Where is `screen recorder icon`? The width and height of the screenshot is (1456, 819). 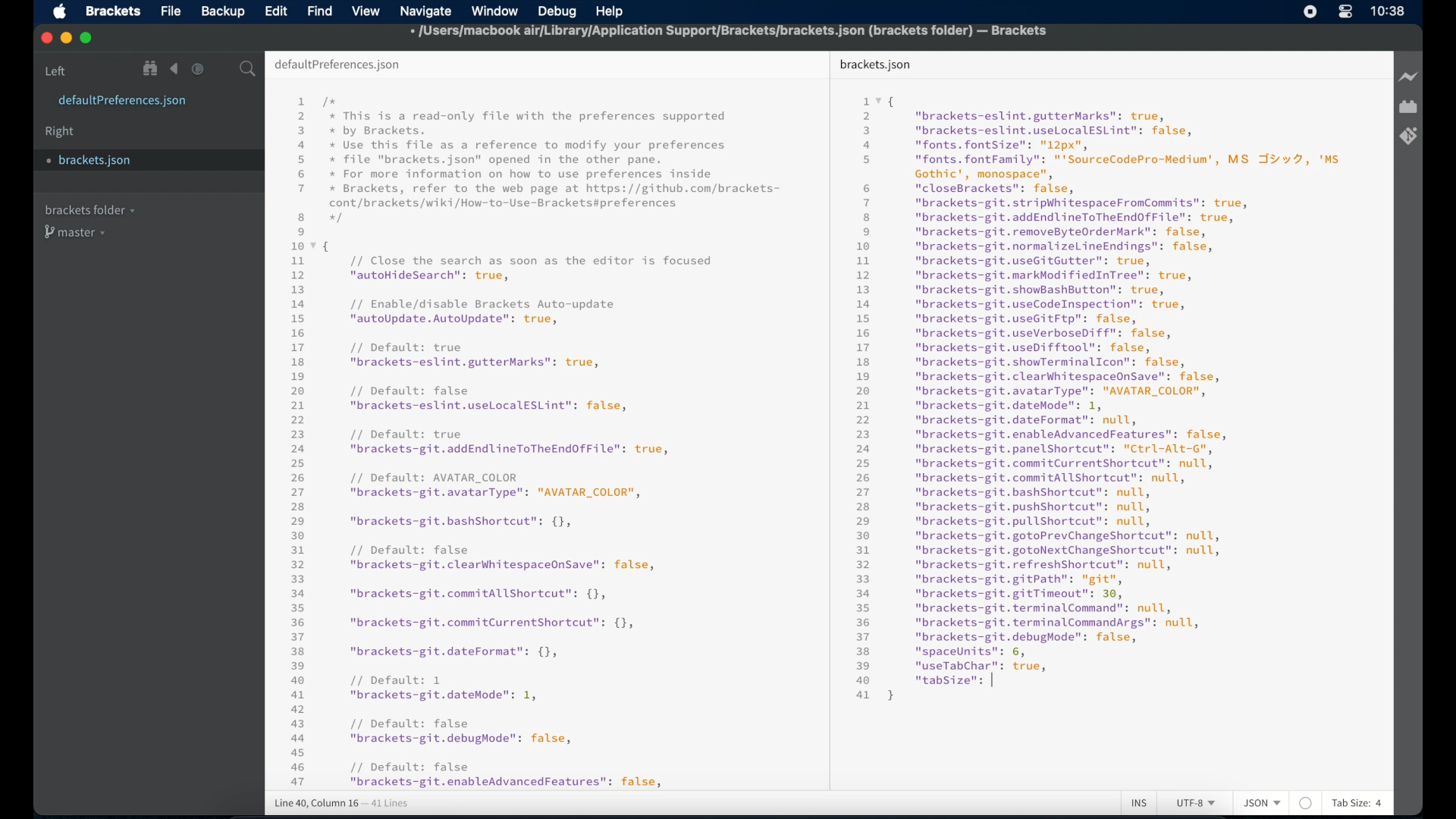 screen recorder icon is located at coordinates (1310, 11).